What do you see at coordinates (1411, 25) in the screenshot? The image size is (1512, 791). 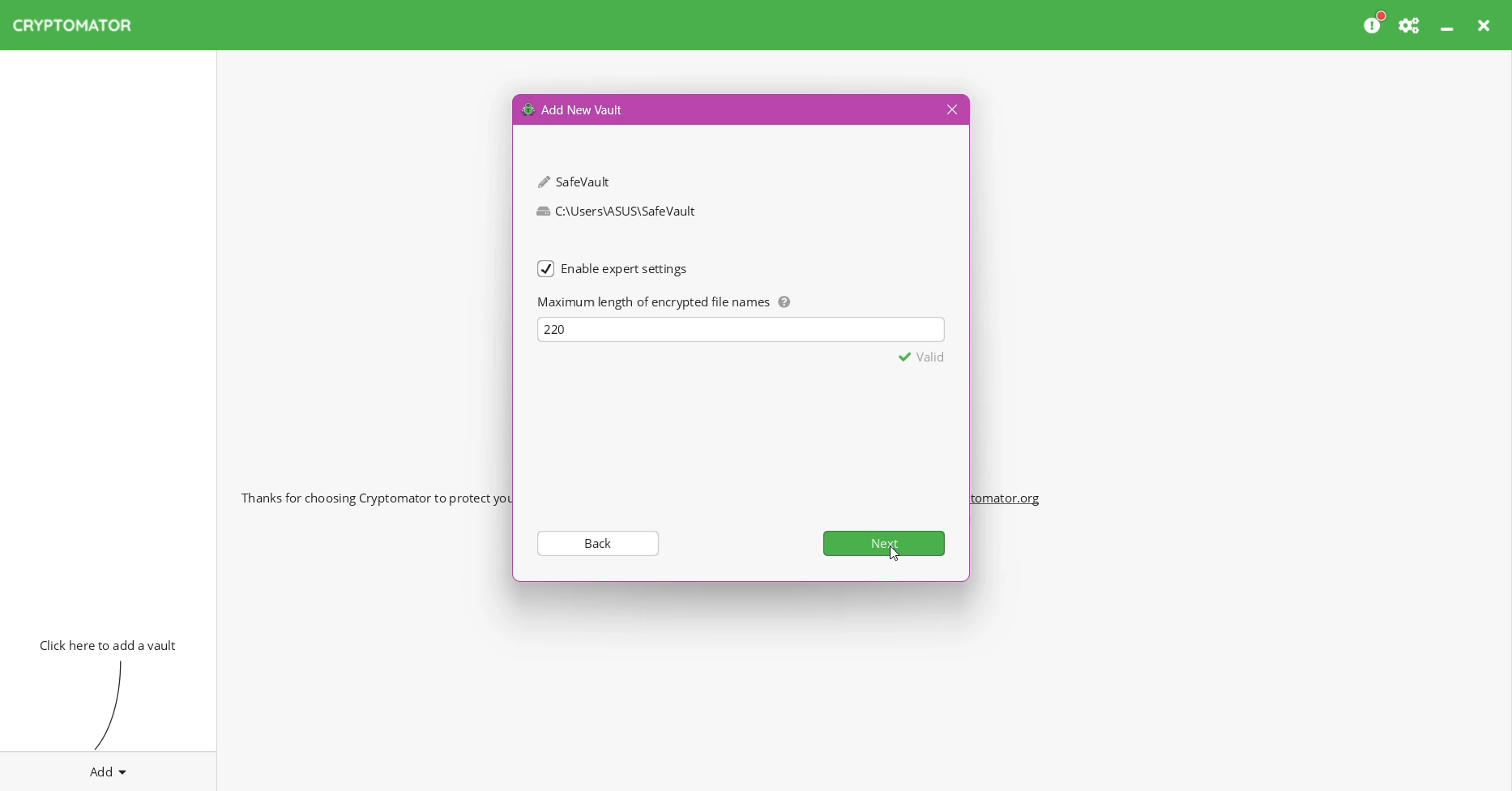 I see `Preferences` at bounding box center [1411, 25].